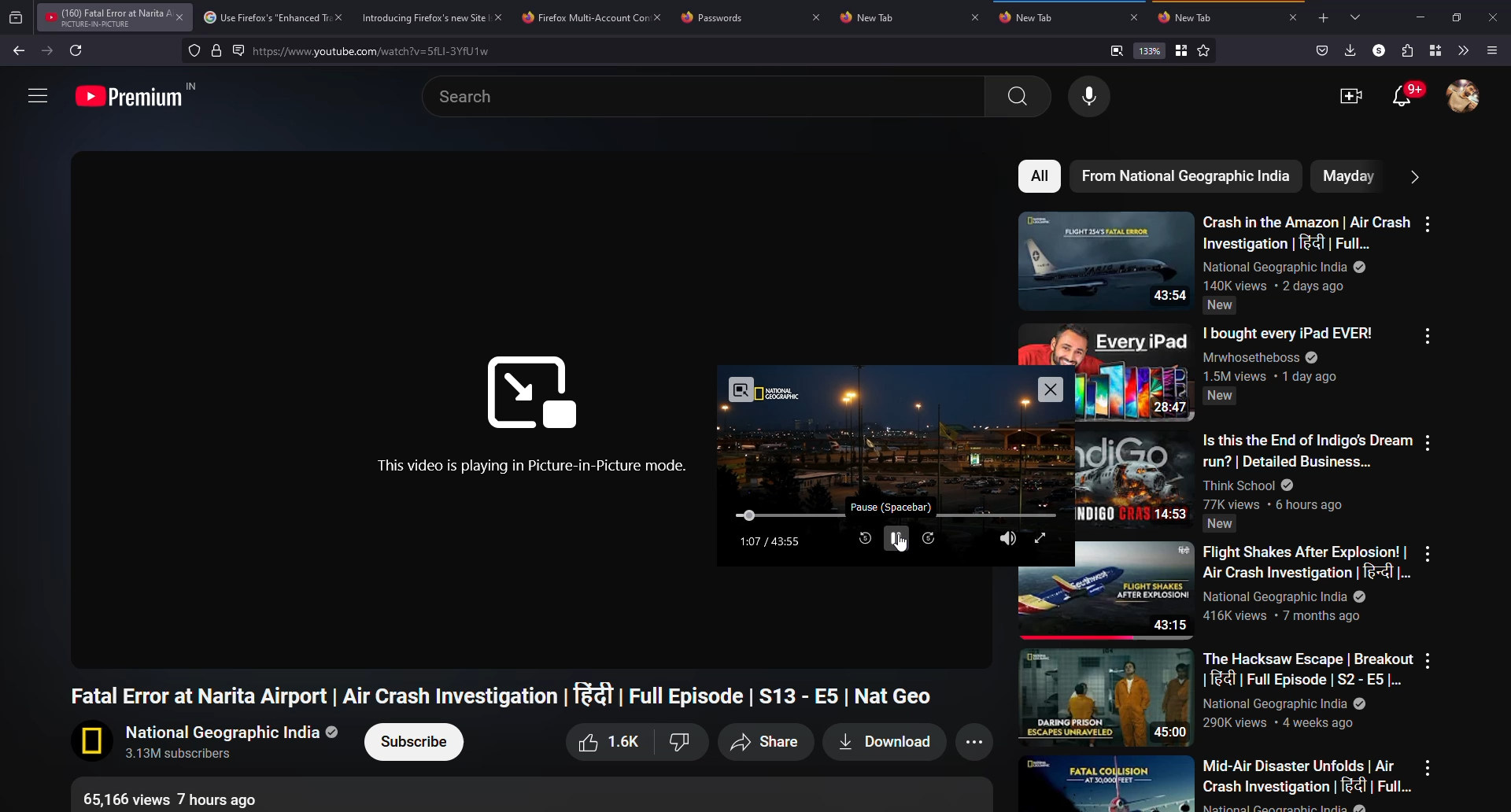 This screenshot has height=812, width=1511. Describe the element at coordinates (1186, 176) in the screenshot. I see `nat geo` at that location.